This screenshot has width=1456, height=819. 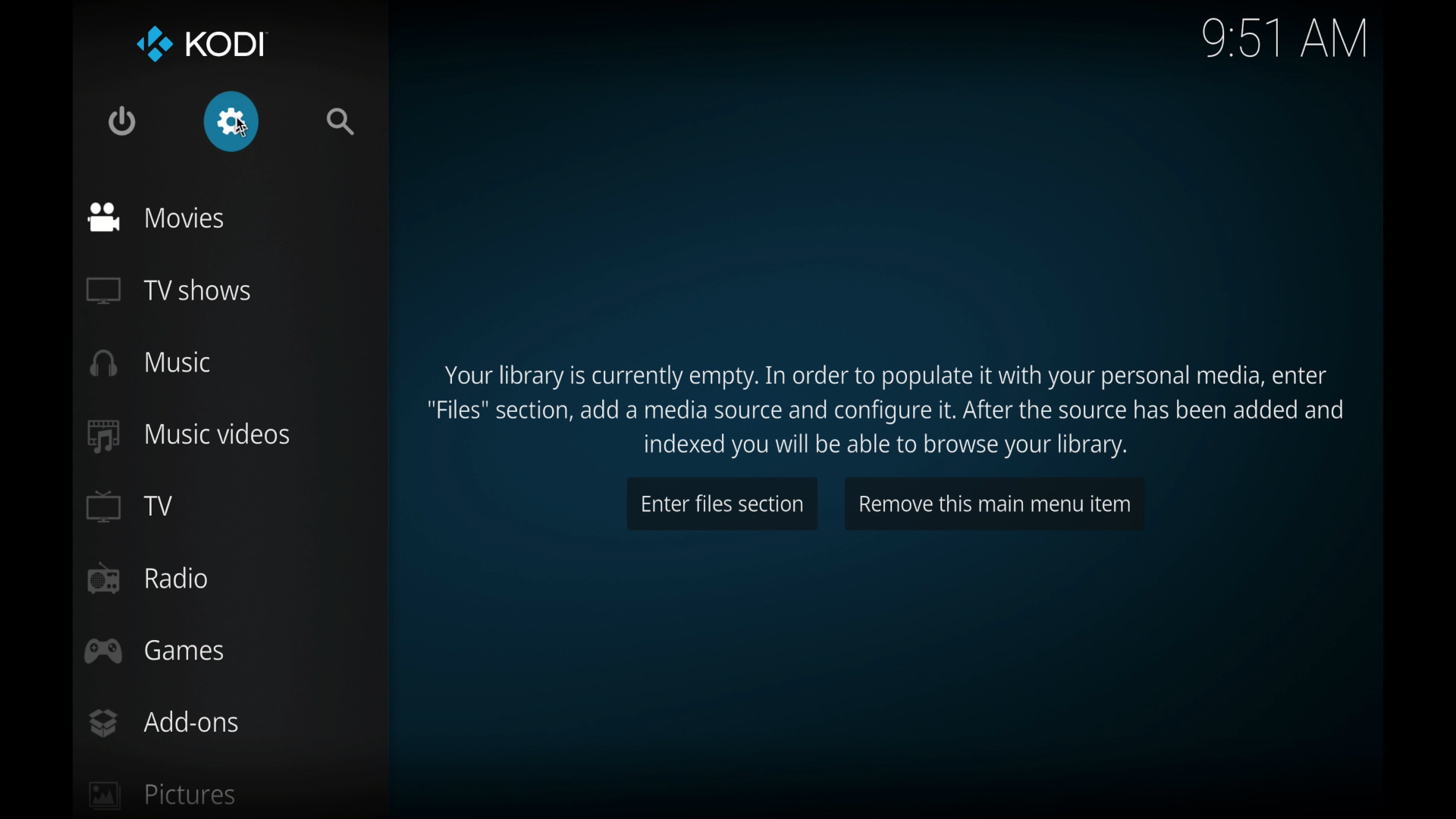 I want to click on pictures, so click(x=163, y=797).